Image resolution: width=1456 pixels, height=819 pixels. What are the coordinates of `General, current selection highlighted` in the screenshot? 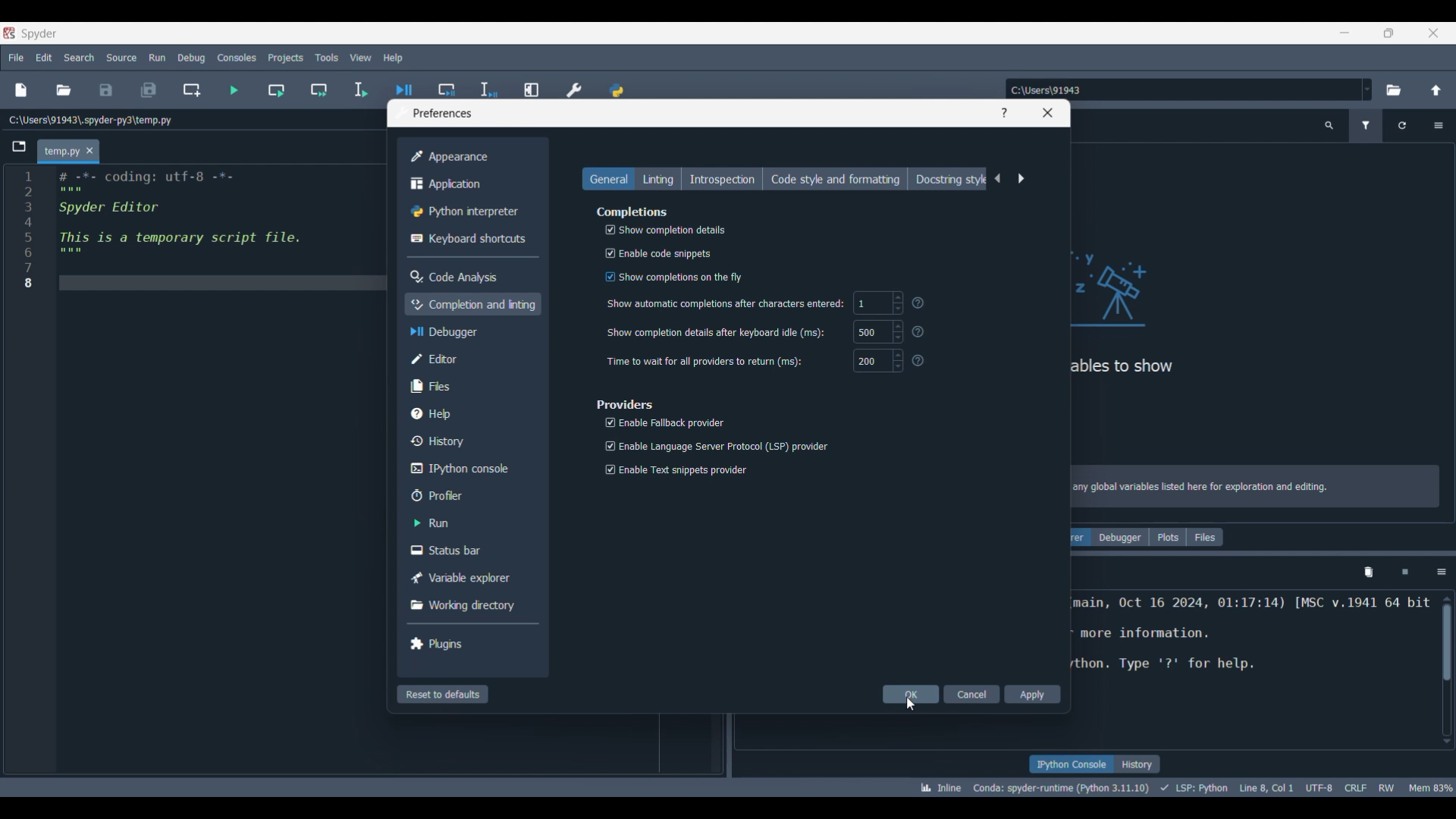 It's located at (608, 178).